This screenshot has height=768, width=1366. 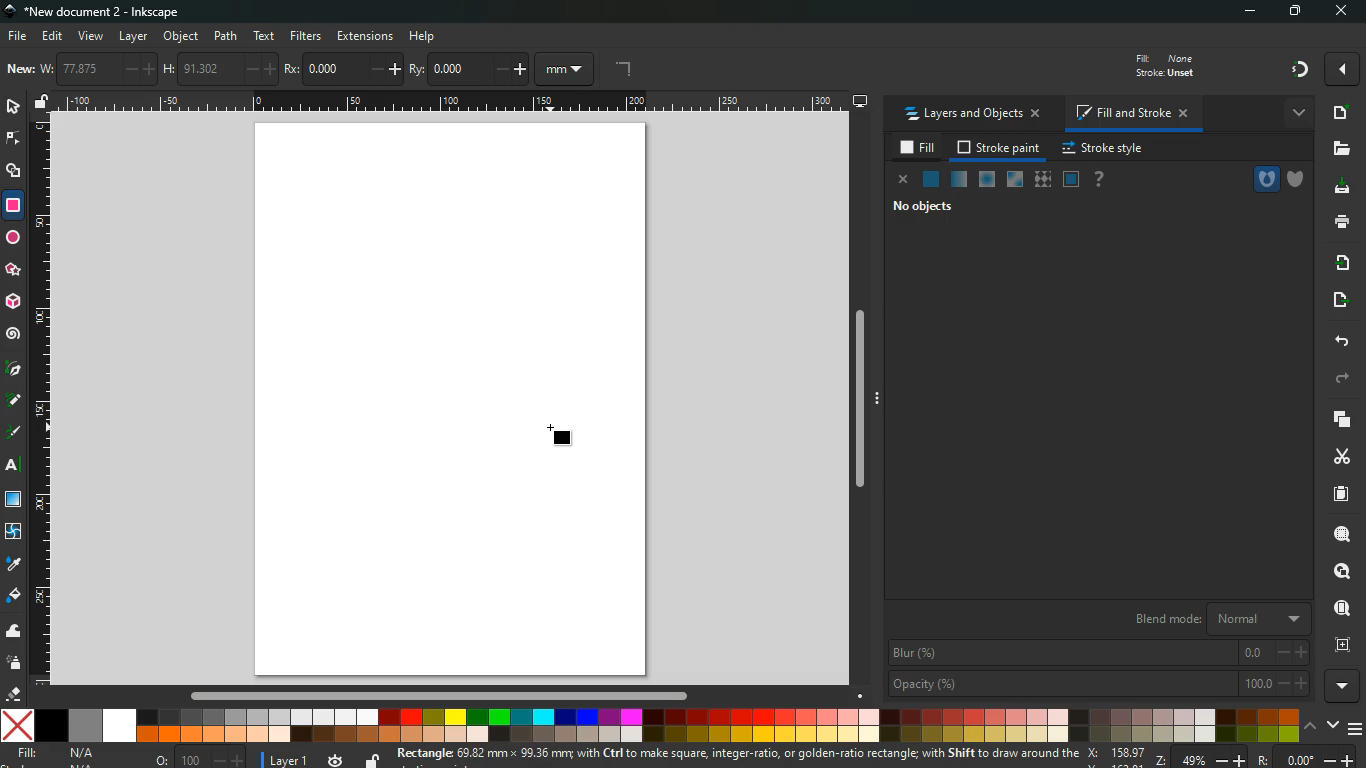 I want to click on zoom, so click(x=1223, y=757).